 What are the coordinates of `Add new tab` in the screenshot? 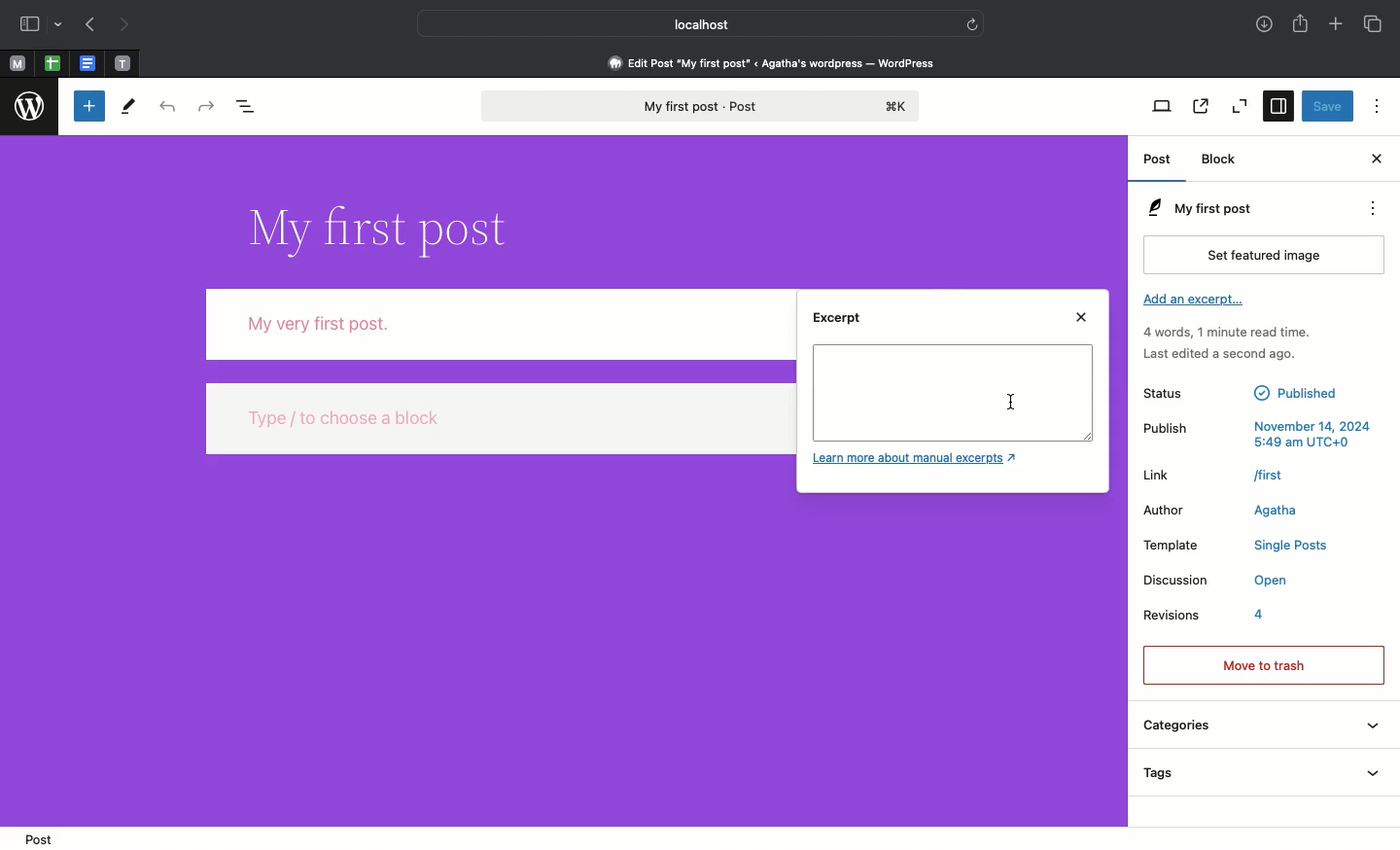 It's located at (1335, 25).